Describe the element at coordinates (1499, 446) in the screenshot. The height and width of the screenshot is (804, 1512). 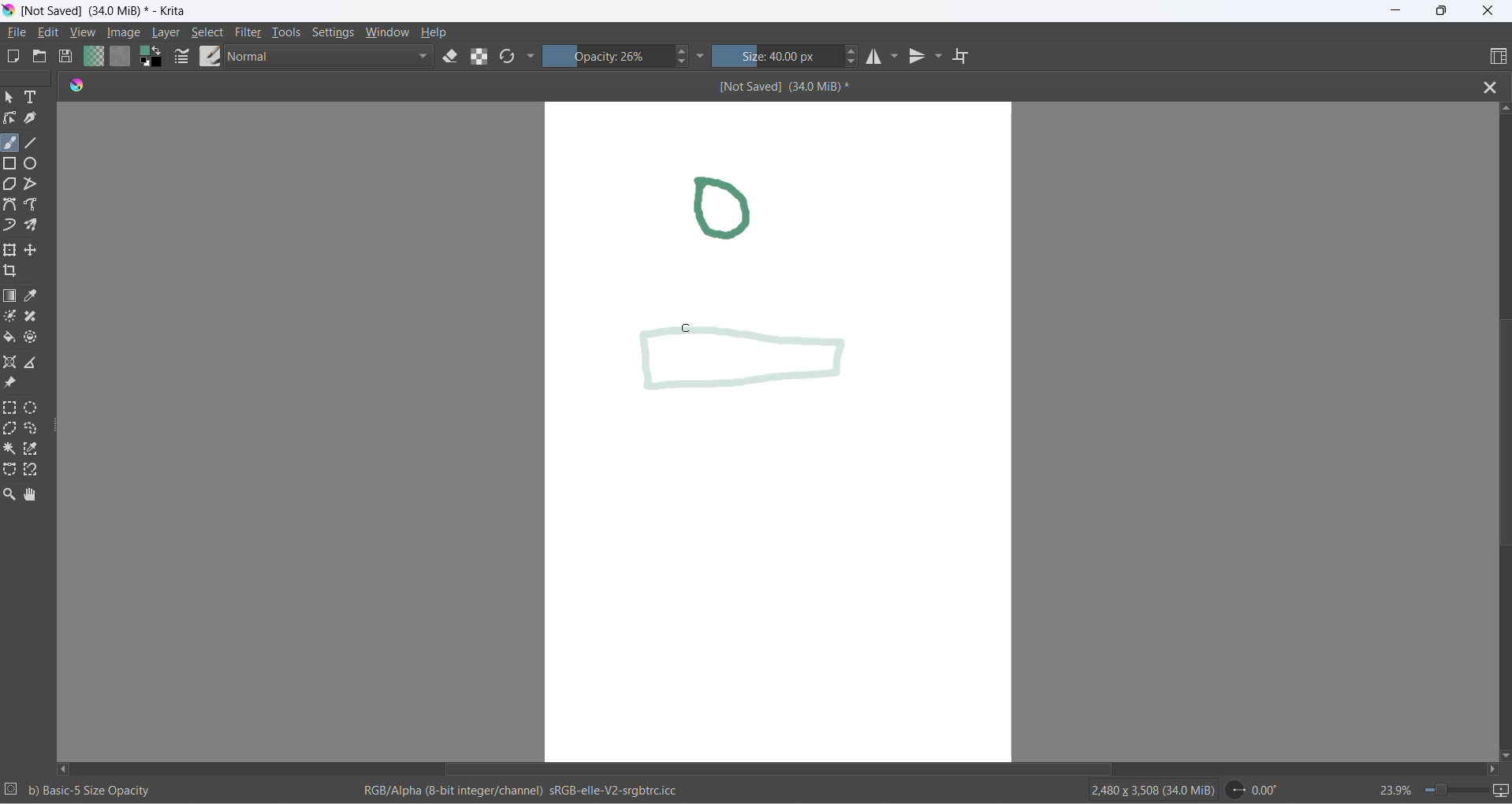
I see `vertical scroll bar` at that location.